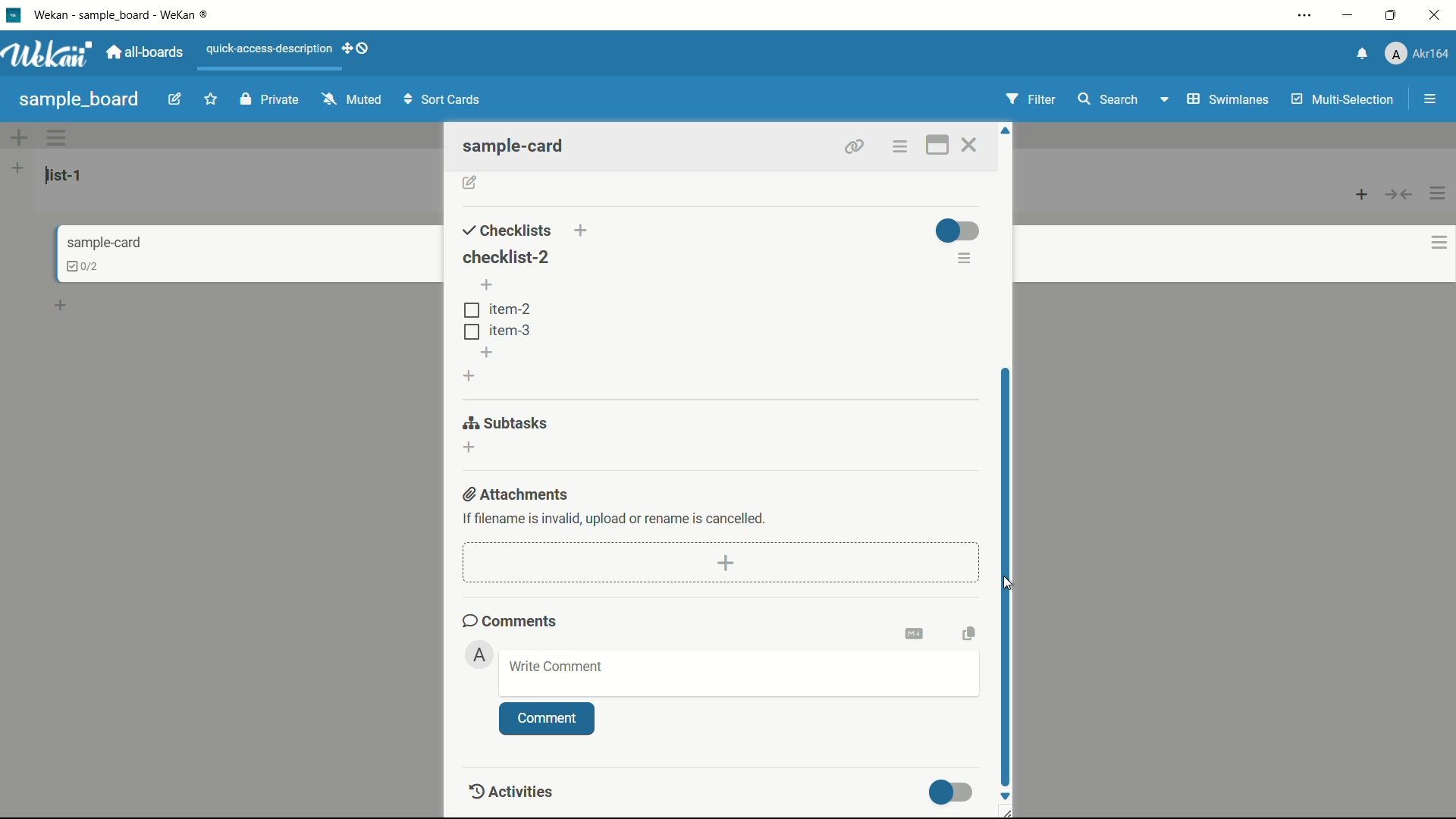 The height and width of the screenshot is (819, 1456). Describe the element at coordinates (67, 175) in the screenshot. I see `list name` at that location.